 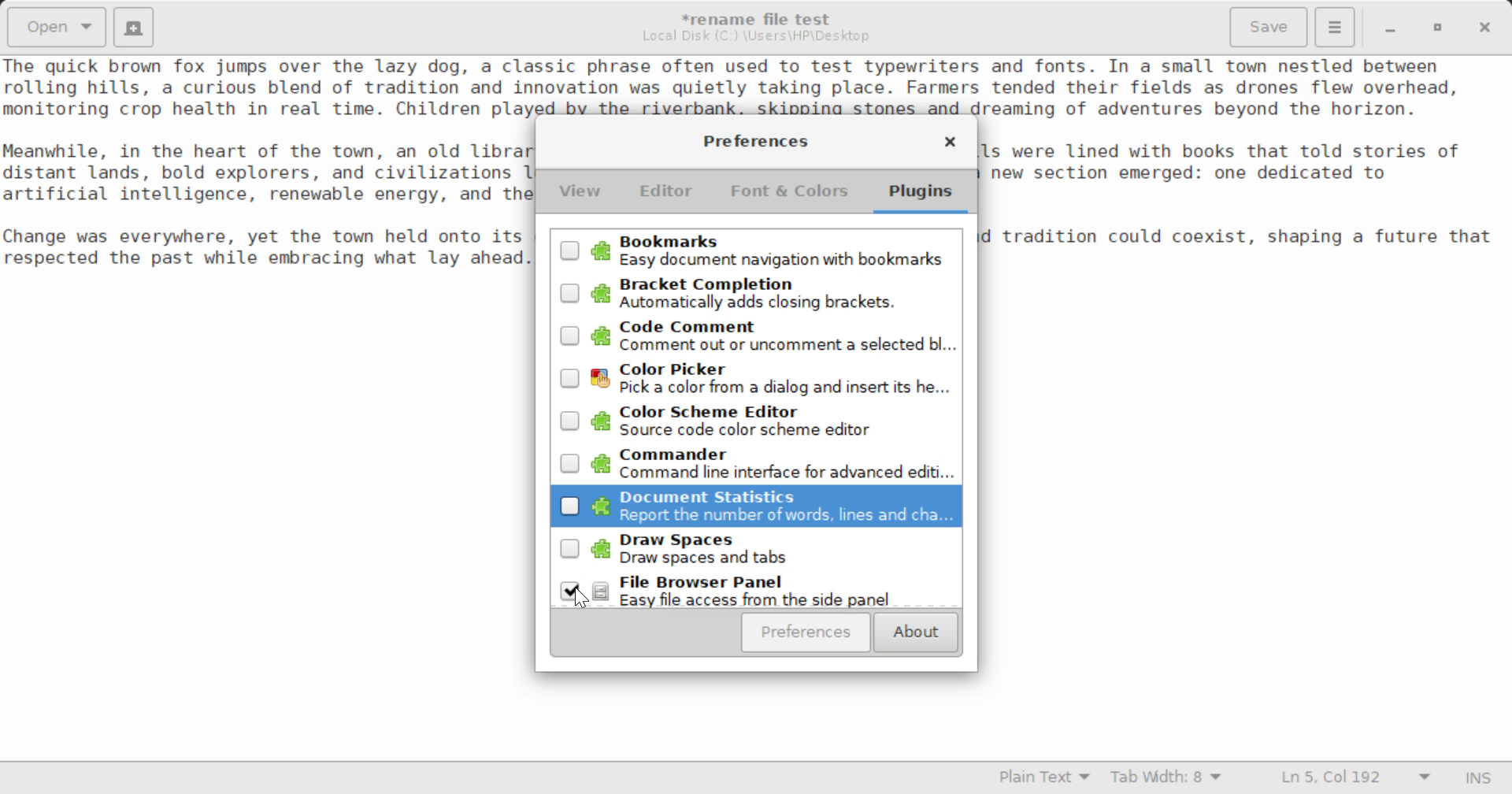 What do you see at coordinates (757, 590) in the screenshot?
I see `Selected Browser Panel` at bounding box center [757, 590].